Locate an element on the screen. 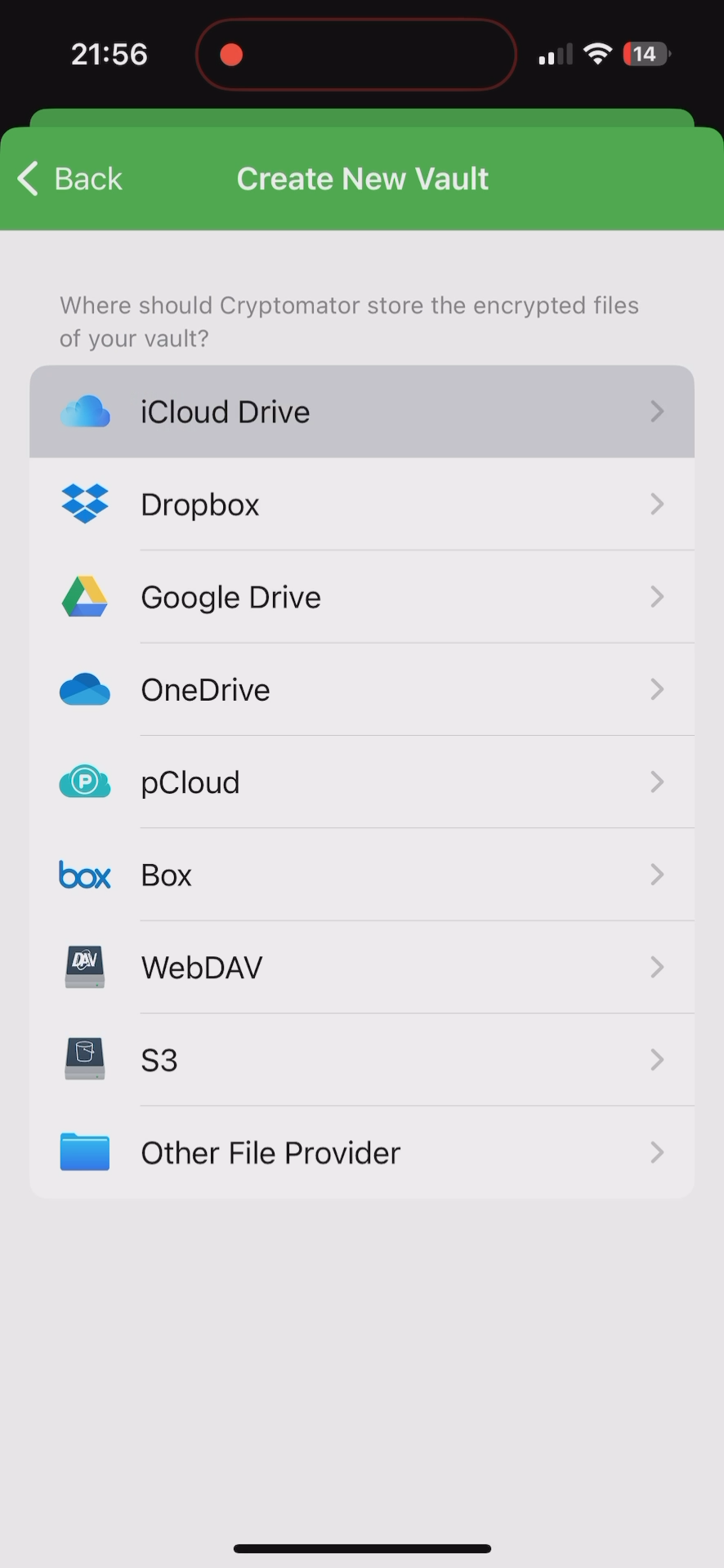 The height and width of the screenshot is (1568, 724). webdav is located at coordinates (364, 967).